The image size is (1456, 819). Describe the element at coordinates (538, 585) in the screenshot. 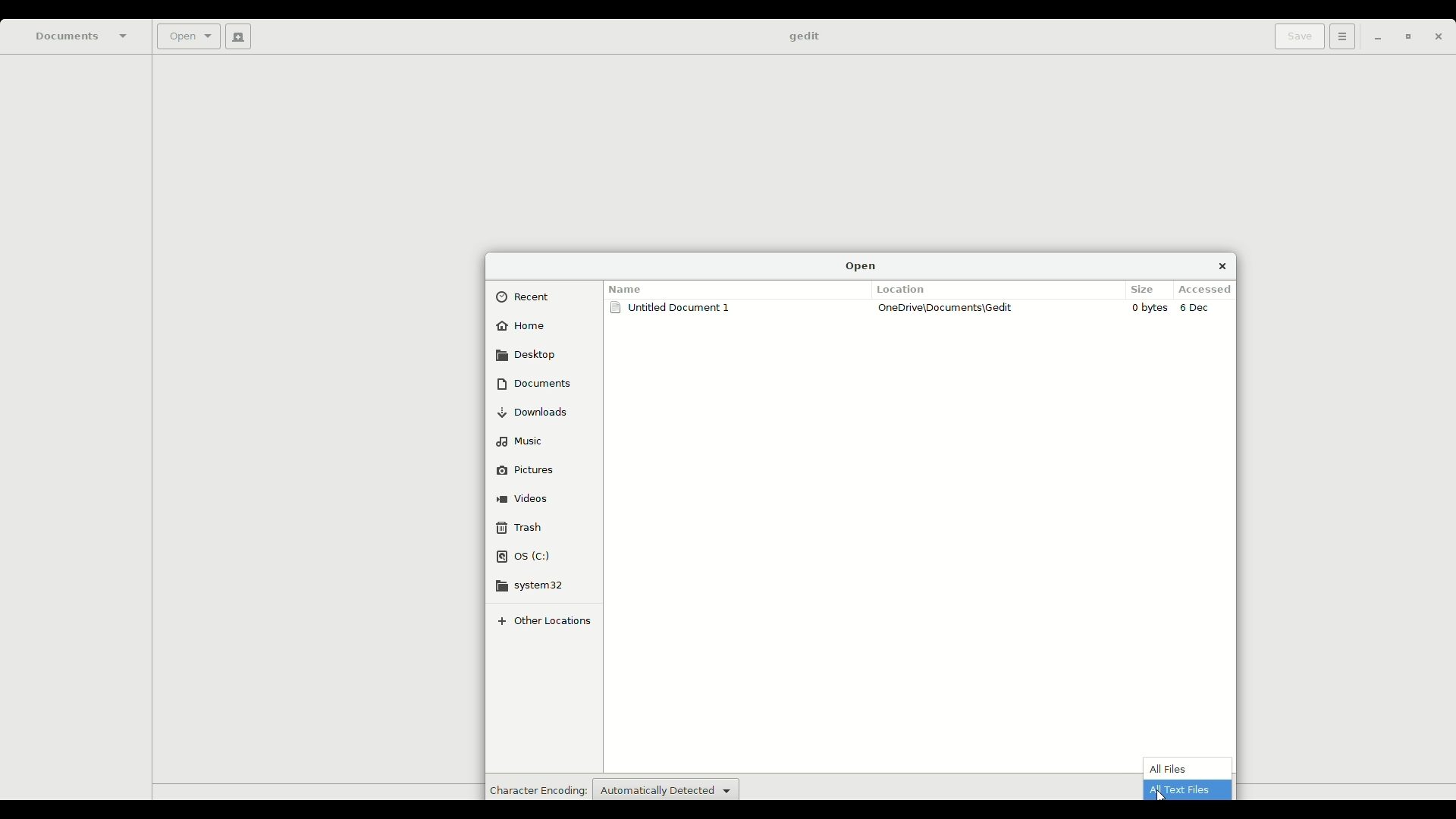

I see `system32` at that location.